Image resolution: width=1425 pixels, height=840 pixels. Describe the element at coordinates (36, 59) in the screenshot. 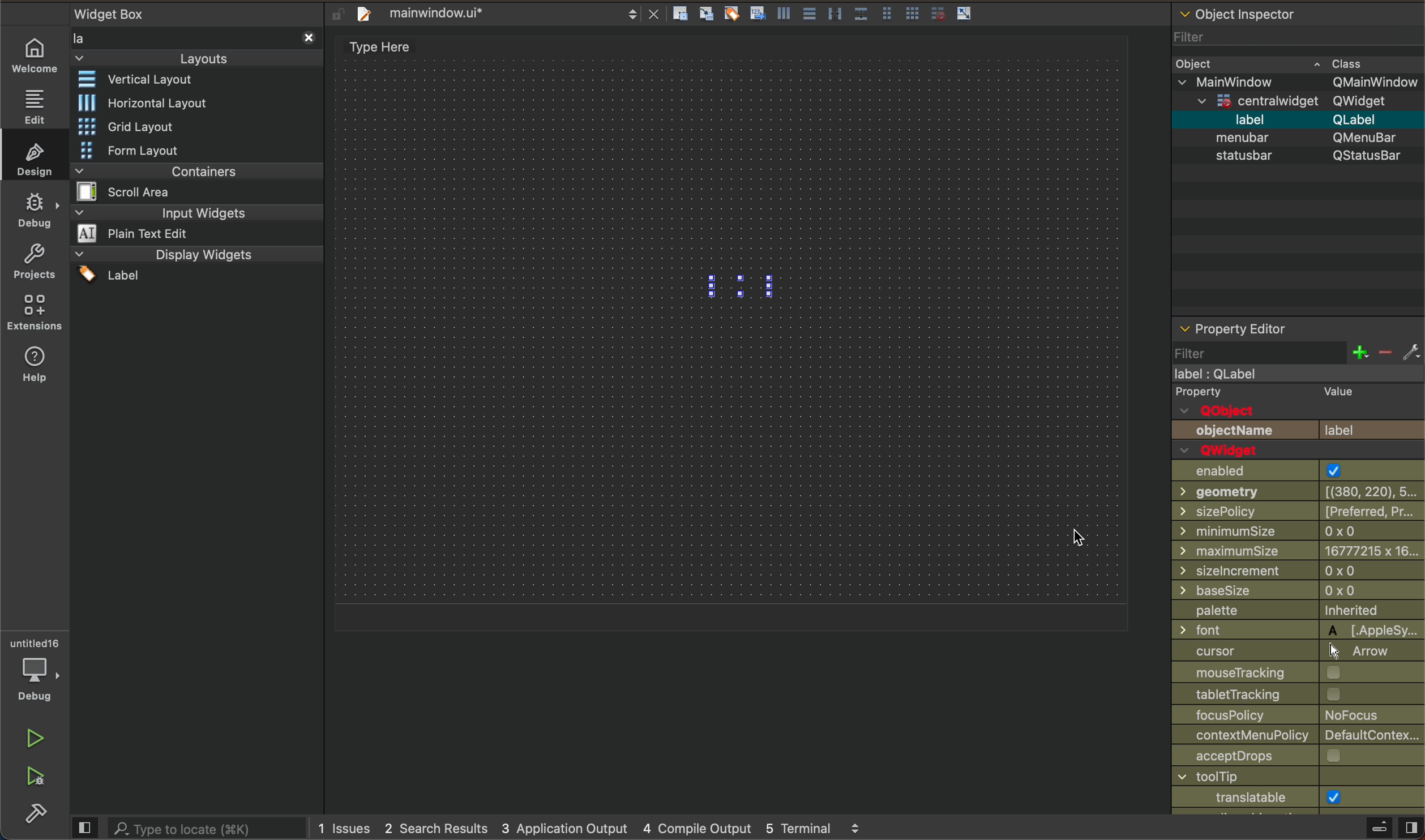

I see `welcome` at that location.